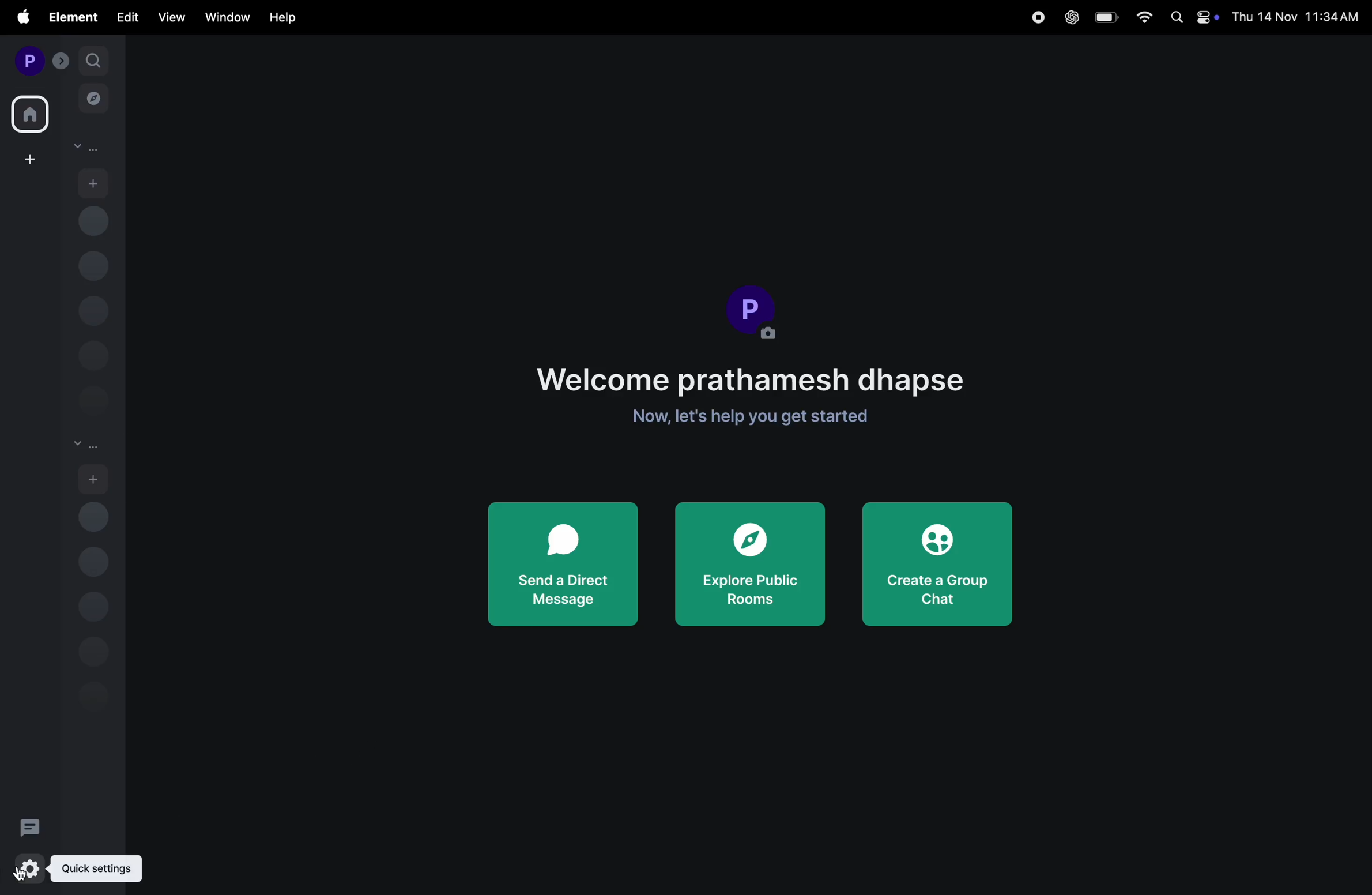 The width and height of the screenshot is (1372, 895). I want to click on threads, so click(31, 825).